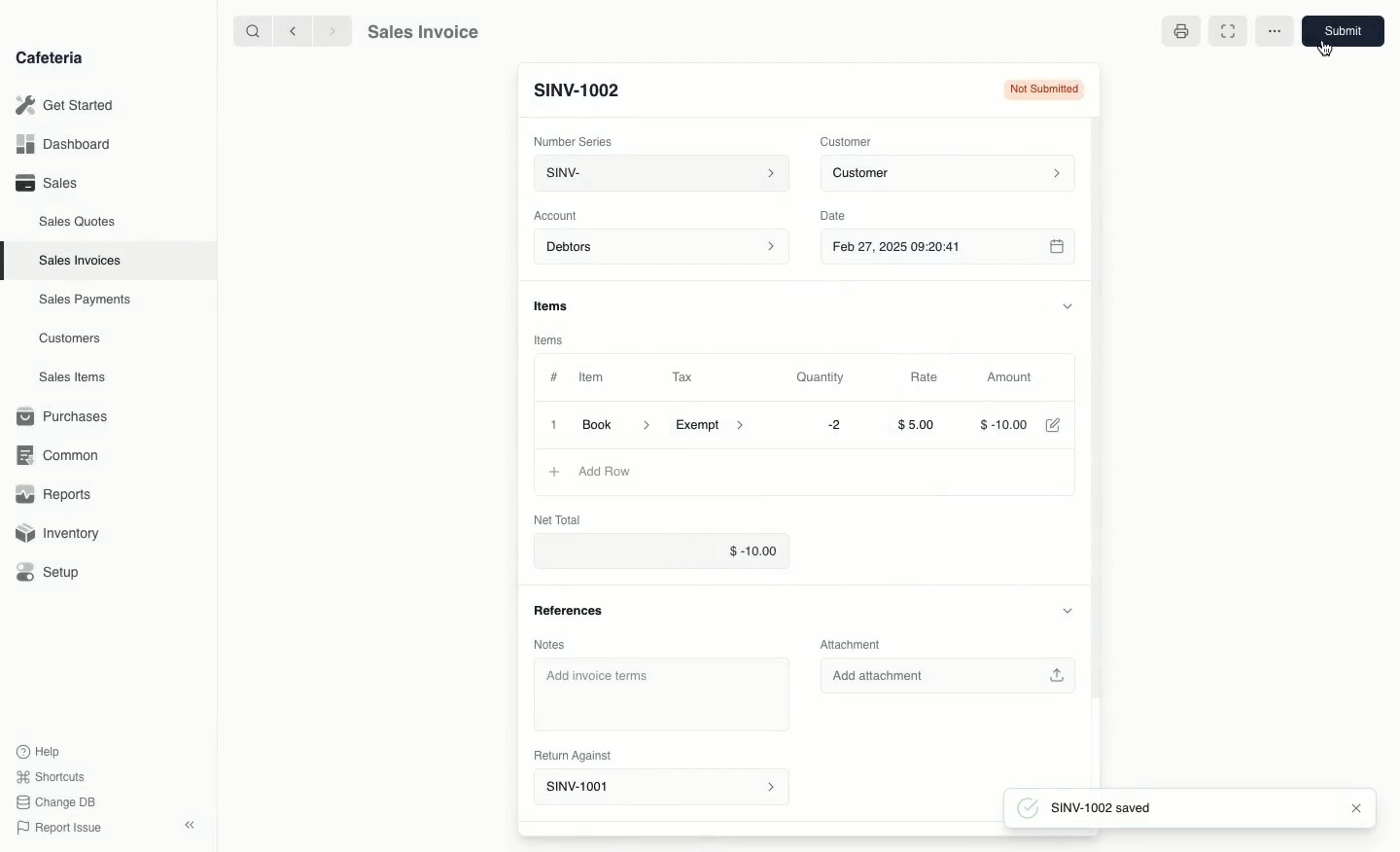 Image resolution: width=1400 pixels, height=852 pixels. What do you see at coordinates (930, 377) in the screenshot?
I see `Rate` at bounding box center [930, 377].